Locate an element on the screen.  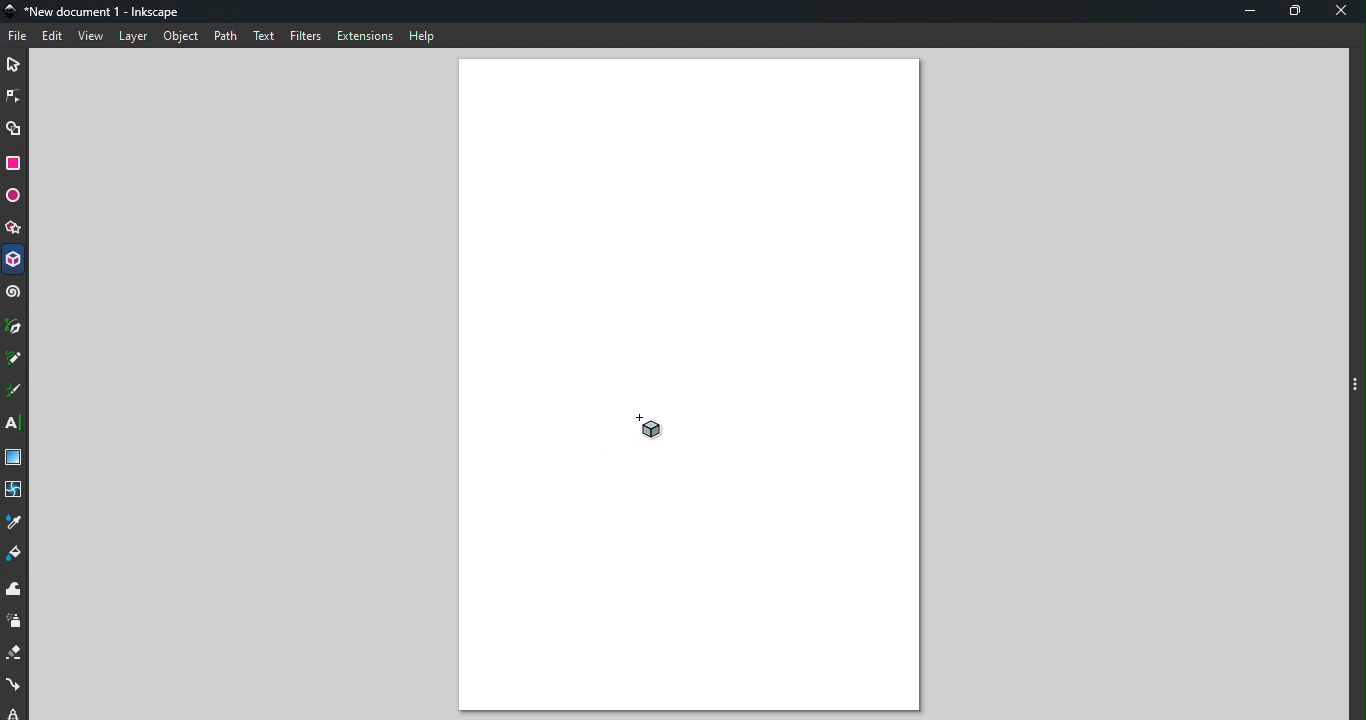
Close is located at coordinates (1341, 14).